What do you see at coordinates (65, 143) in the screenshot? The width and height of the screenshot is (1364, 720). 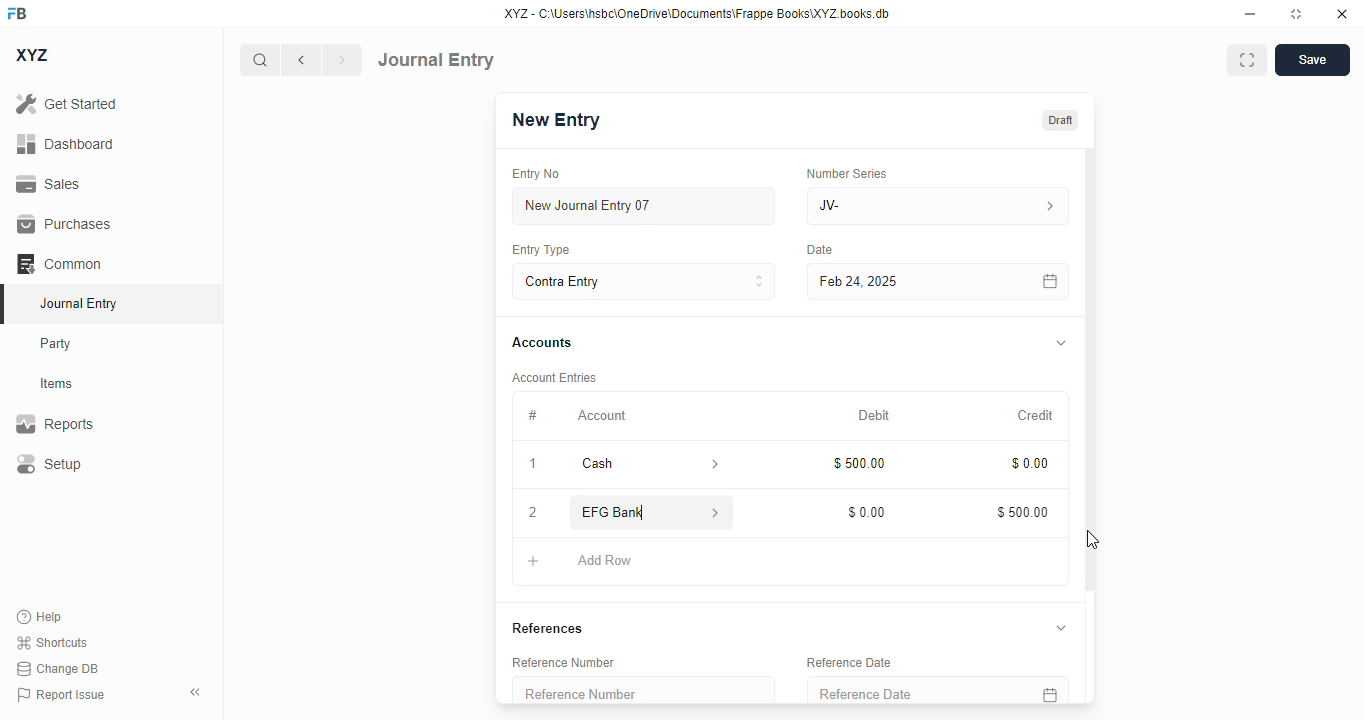 I see `dashboard` at bounding box center [65, 143].